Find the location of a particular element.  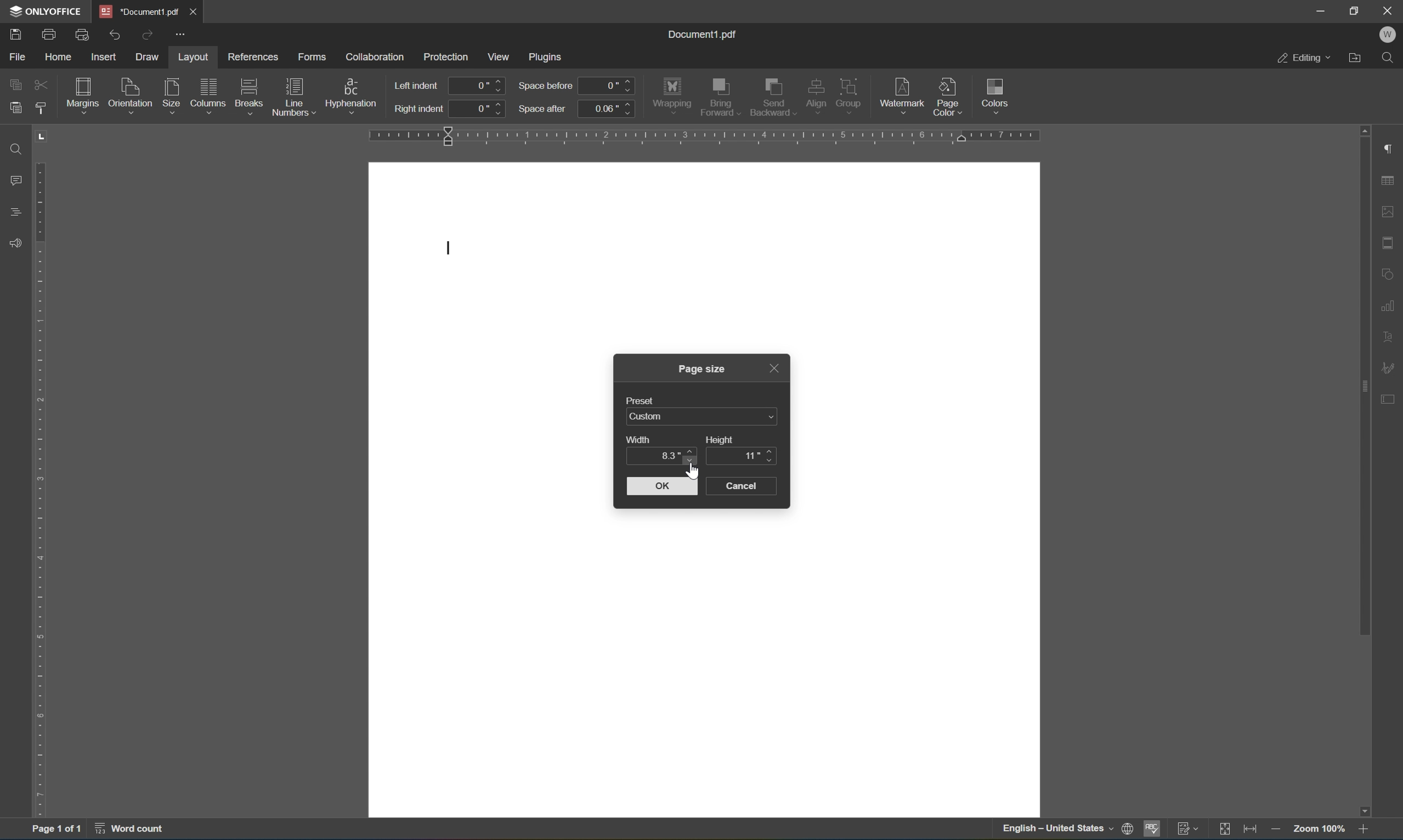

align is located at coordinates (816, 96).